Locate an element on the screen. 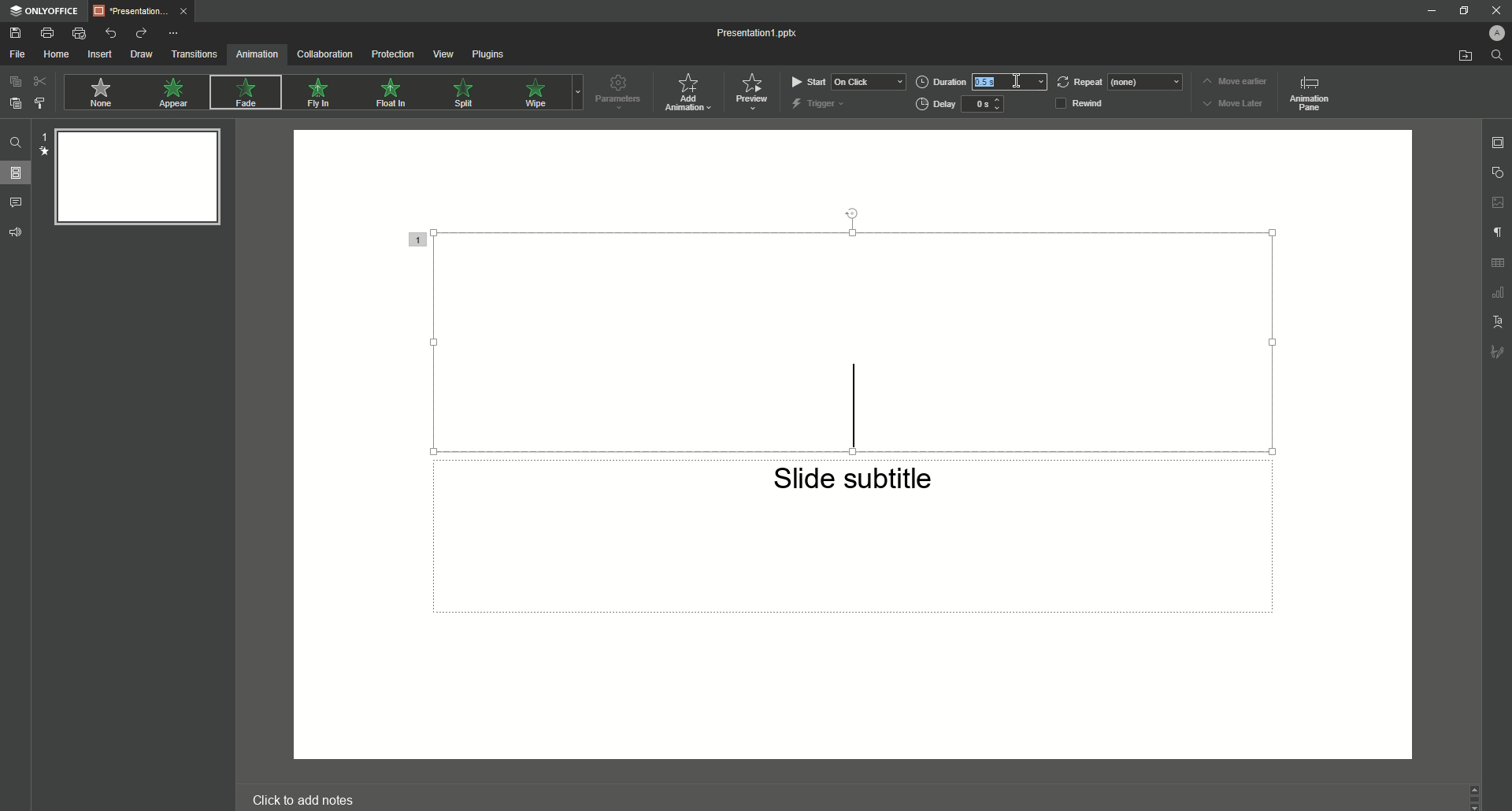 The width and height of the screenshot is (1512, 811). Preview is located at coordinates (751, 91).